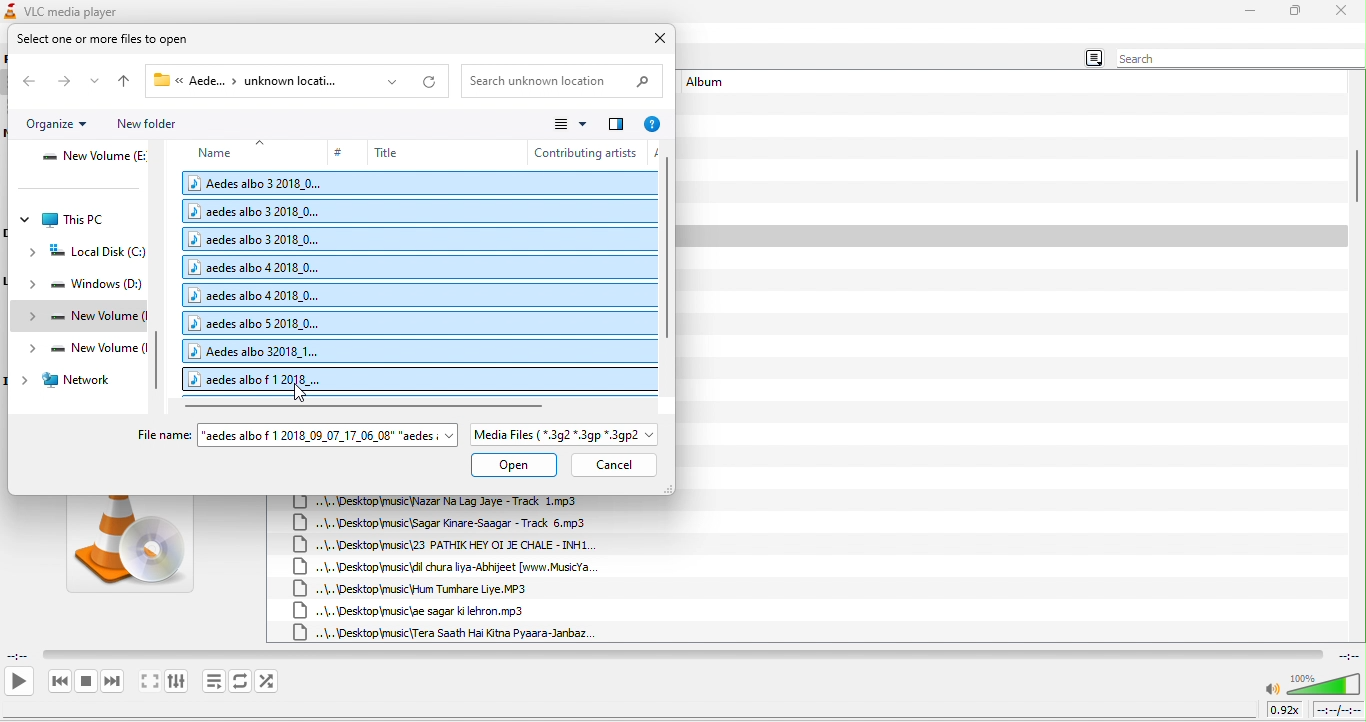  I want to click on new volume (E:, so click(93, 159).